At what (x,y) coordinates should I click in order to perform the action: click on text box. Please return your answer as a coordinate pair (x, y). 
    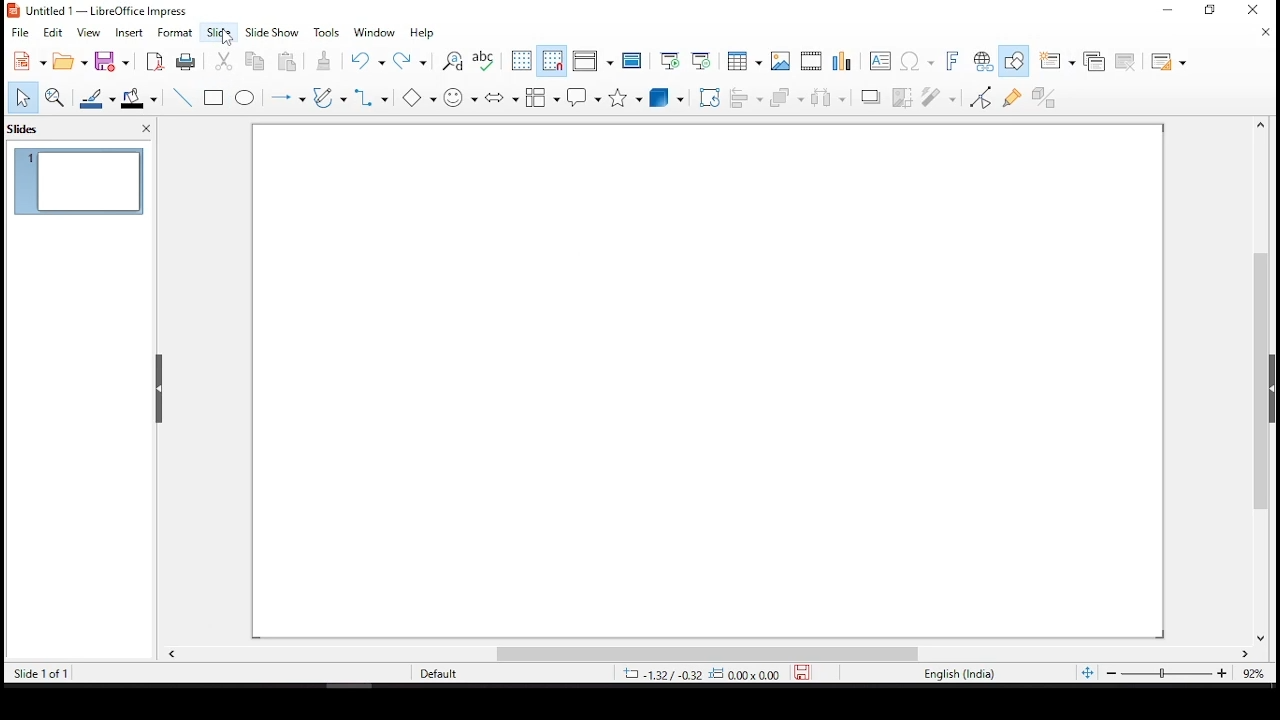
    Looking at the image, I should click on (883, 61).